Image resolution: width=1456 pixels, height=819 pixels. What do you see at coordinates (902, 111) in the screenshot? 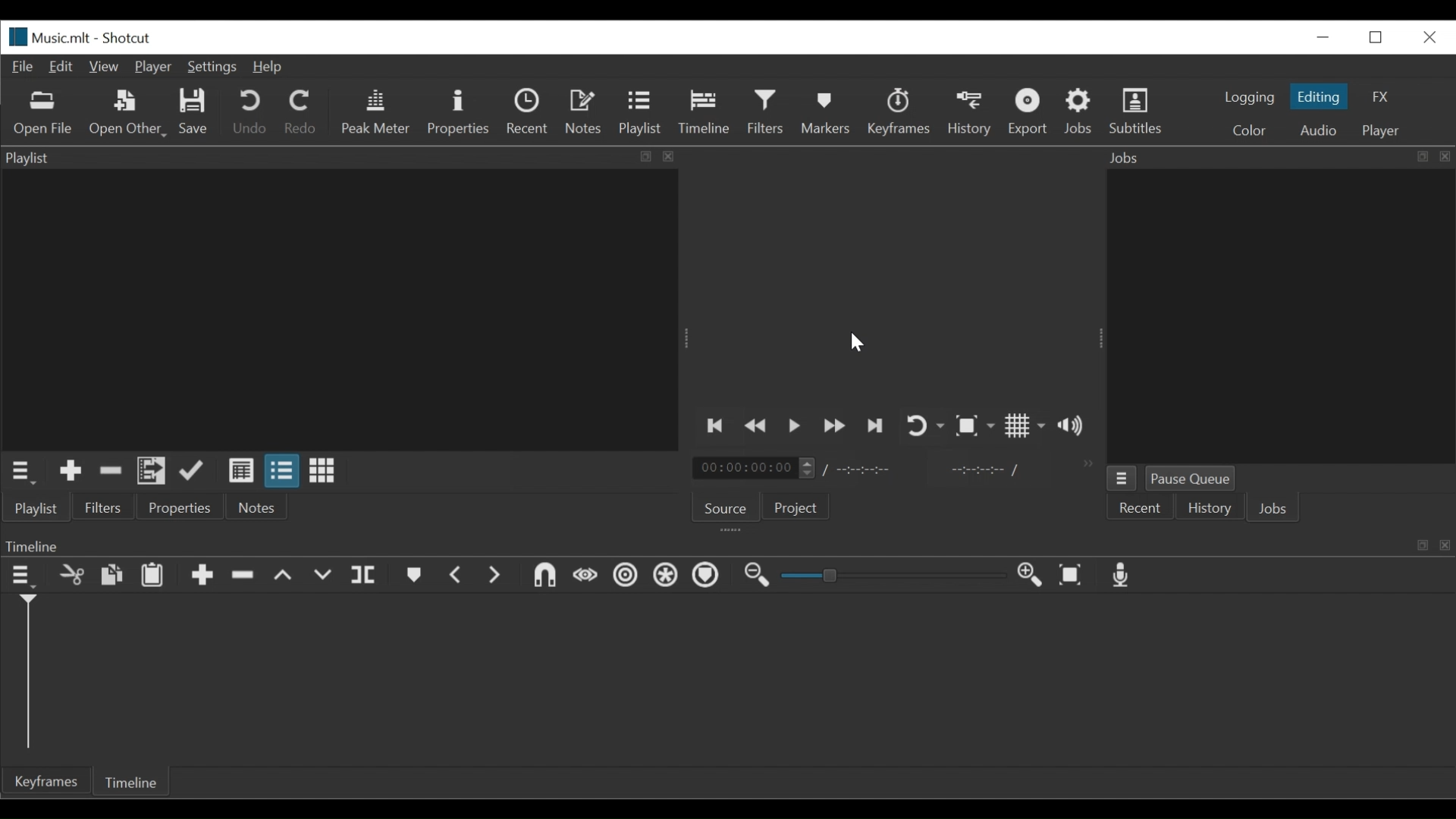
I see `Keyframe` at bounding box center [902, 111].